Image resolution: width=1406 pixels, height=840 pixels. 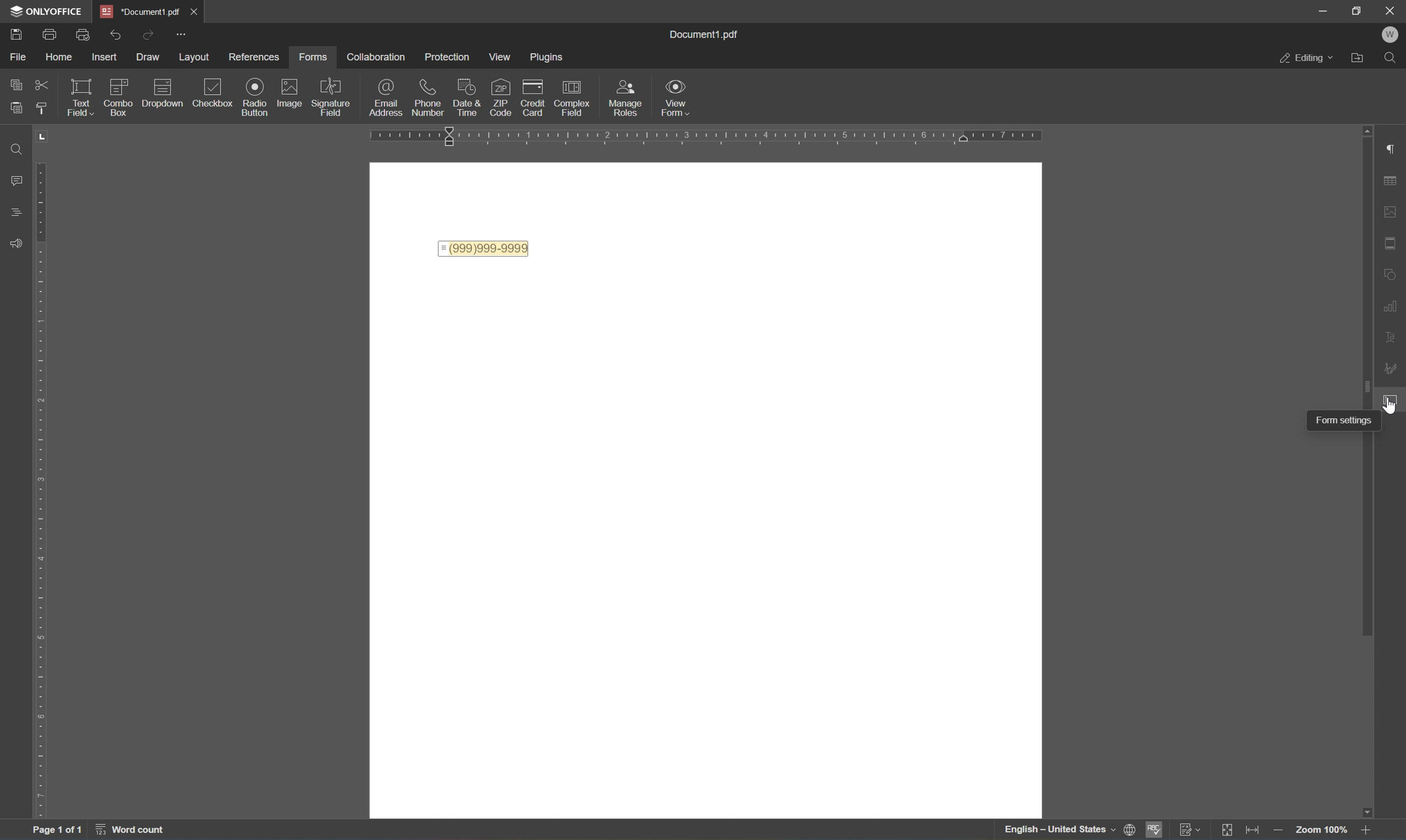 I want to click on , so click(x=501, y=57).